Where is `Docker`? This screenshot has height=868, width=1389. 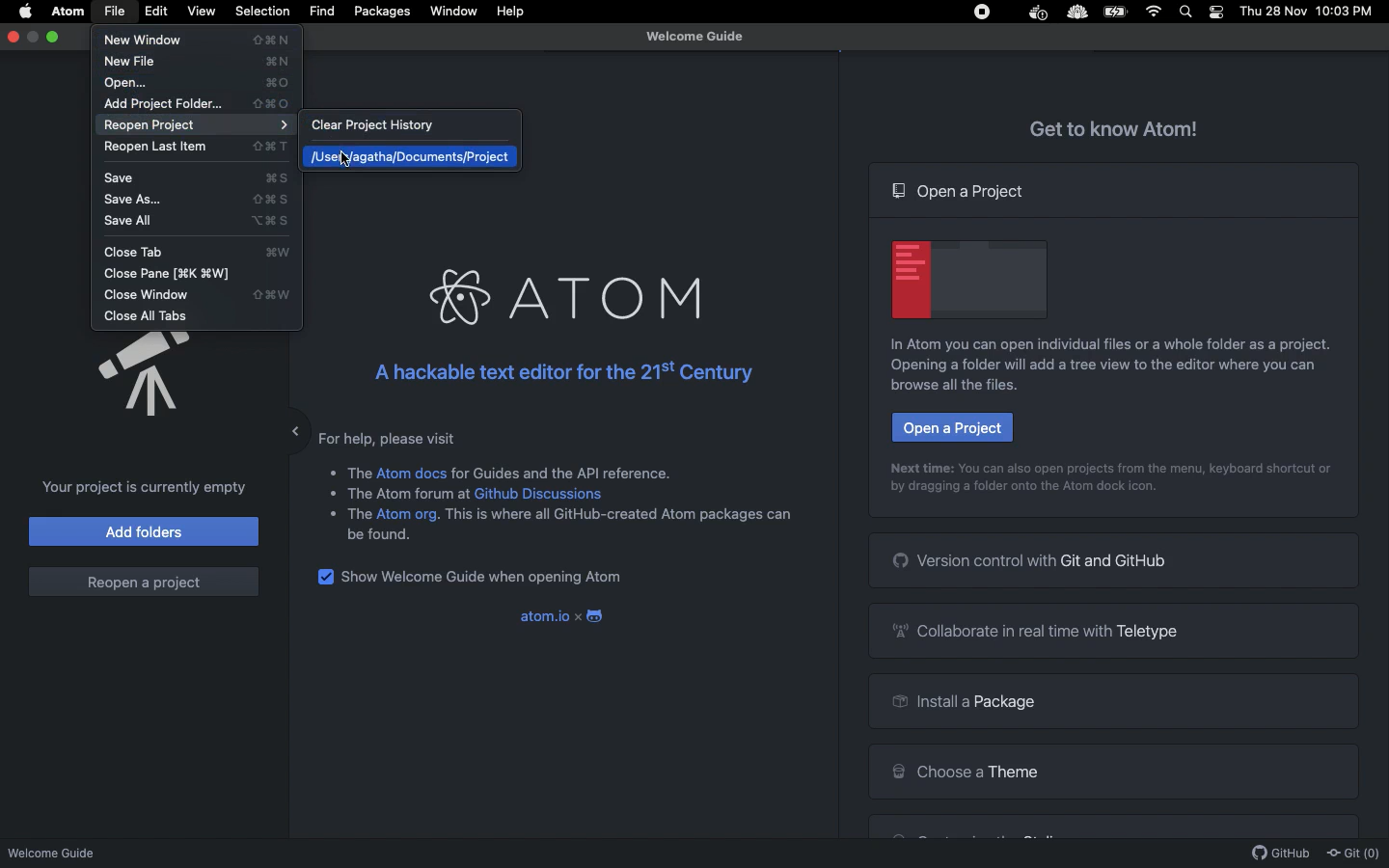
Docker is located at coordinates (1036, 14).